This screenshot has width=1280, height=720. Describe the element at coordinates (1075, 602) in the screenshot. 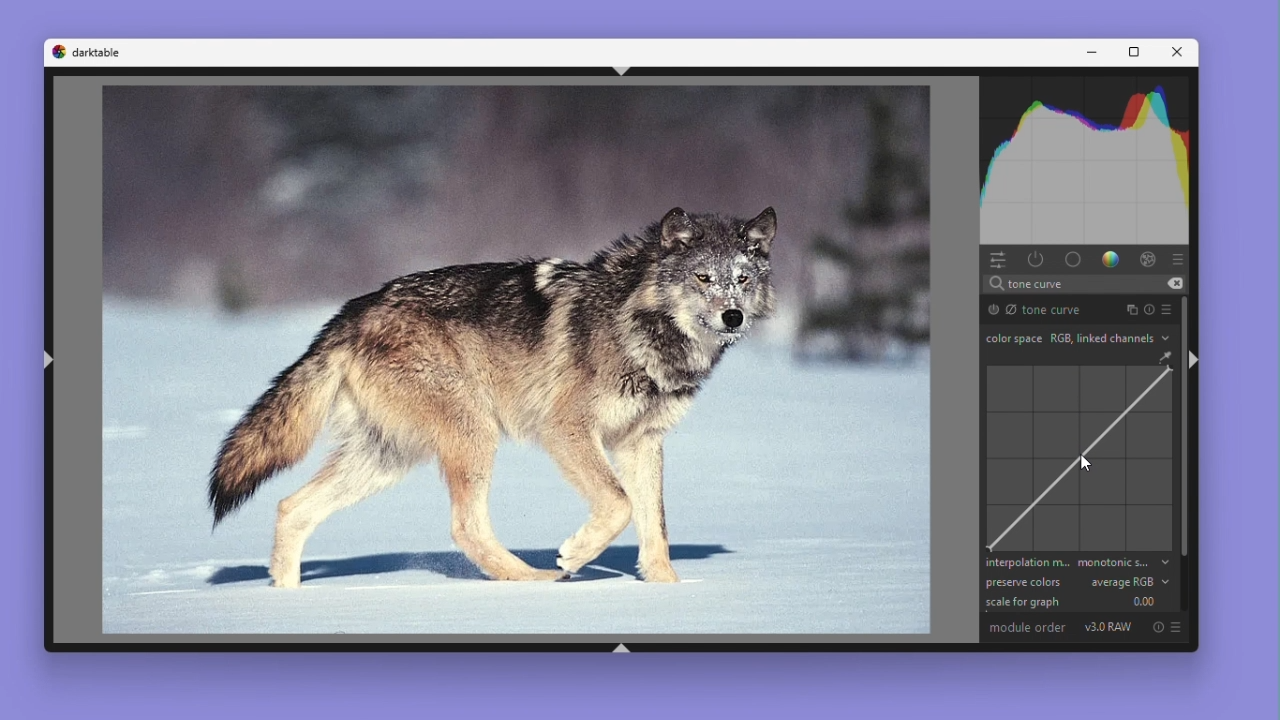

I see `Scale for graph` at that location.